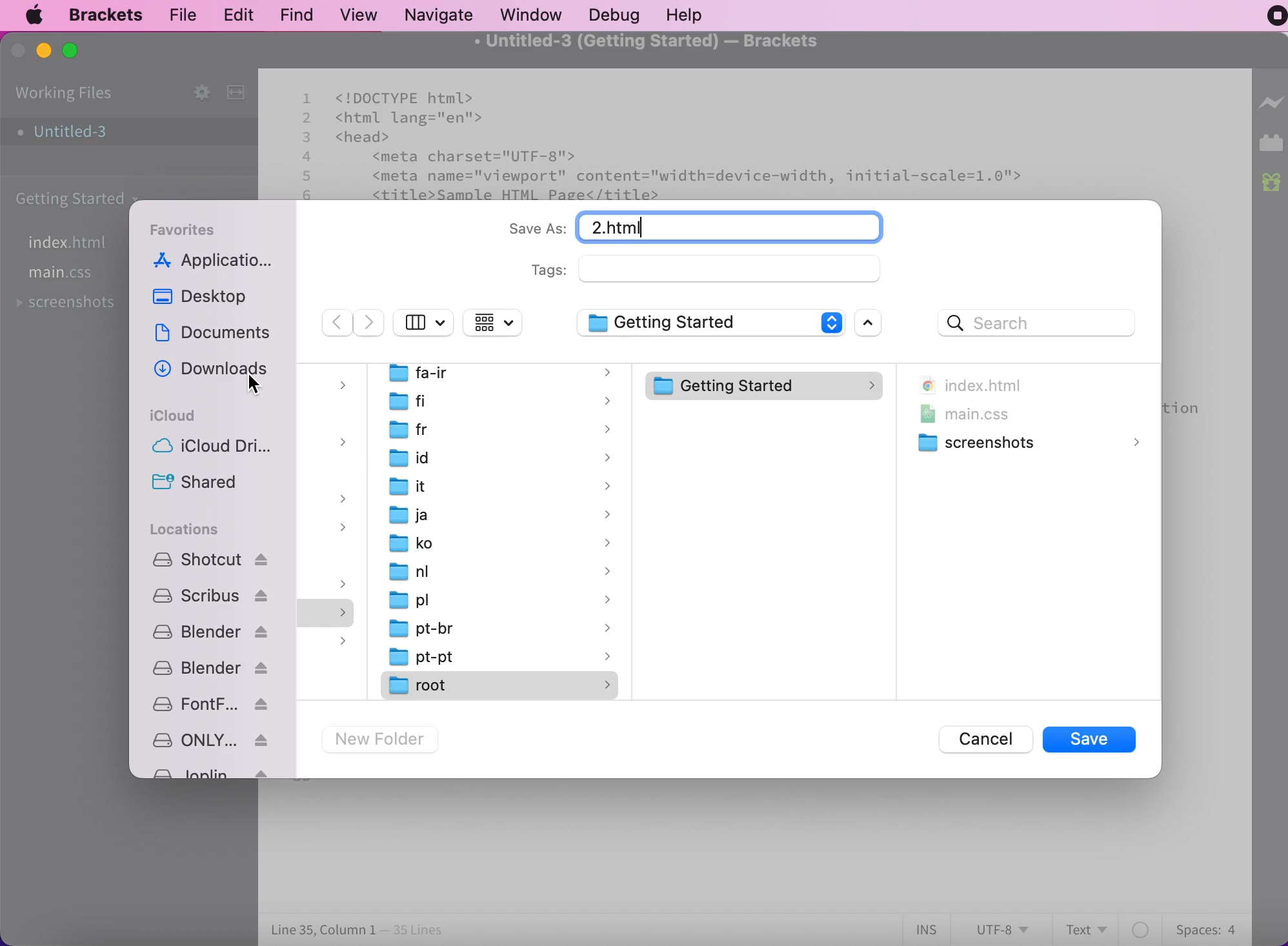  I want to click on id, so click(501, 456).